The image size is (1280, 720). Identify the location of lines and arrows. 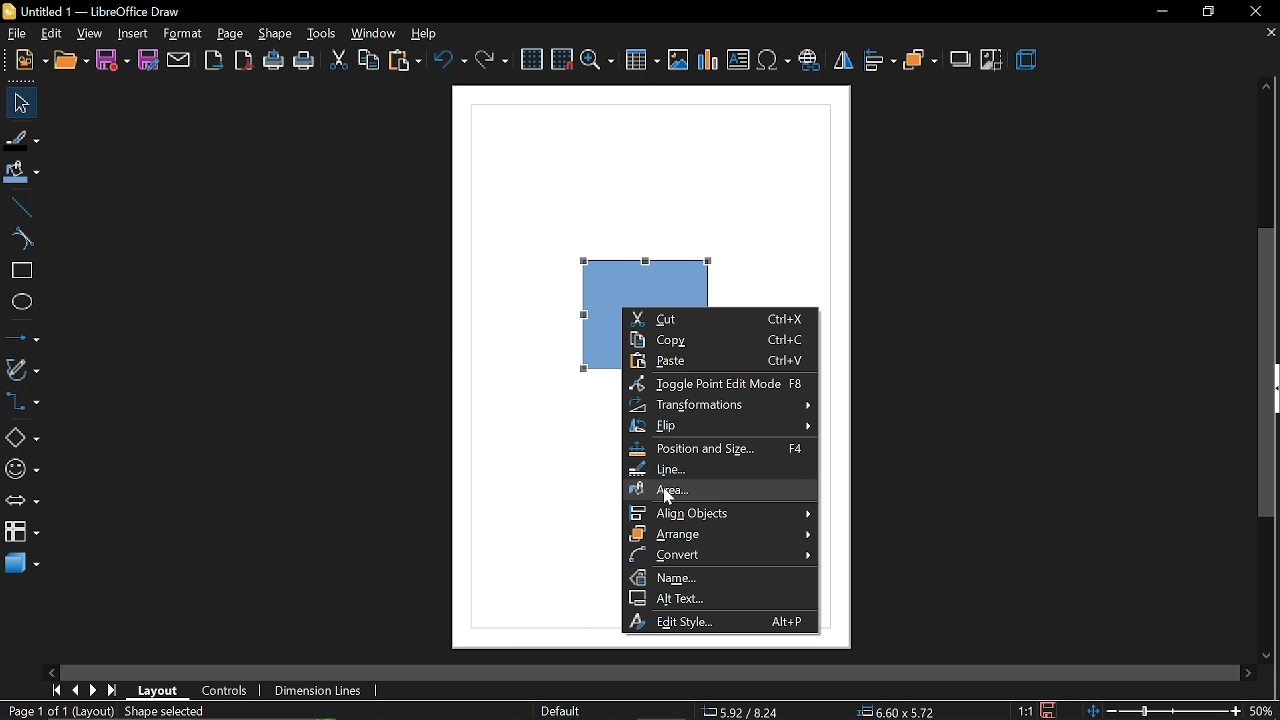
(23, 338).